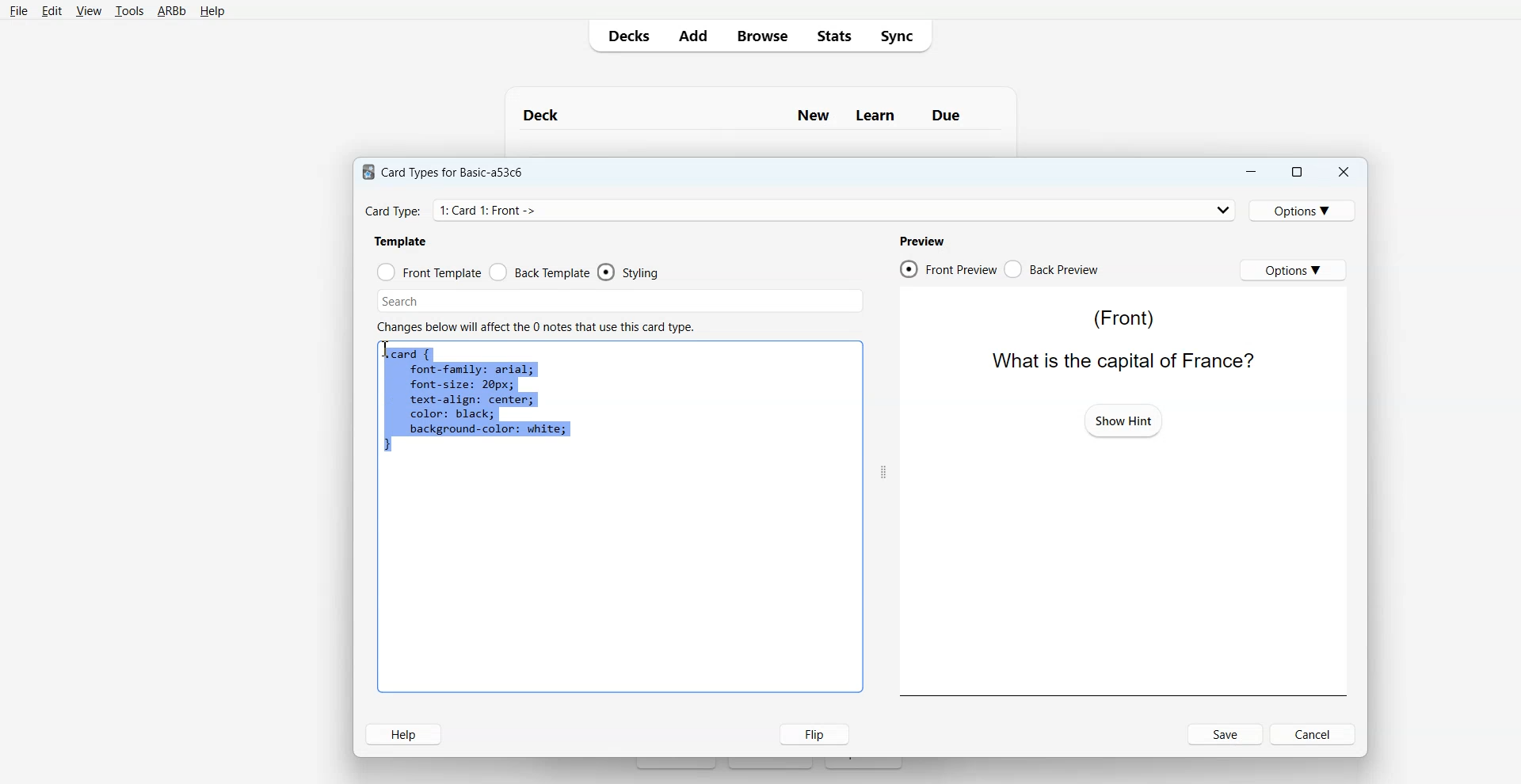 This screenshot has width=1521, height=784. Describe the element at coordinates (1052, 269) in the screenshot. I see `Back Preview` at that location.